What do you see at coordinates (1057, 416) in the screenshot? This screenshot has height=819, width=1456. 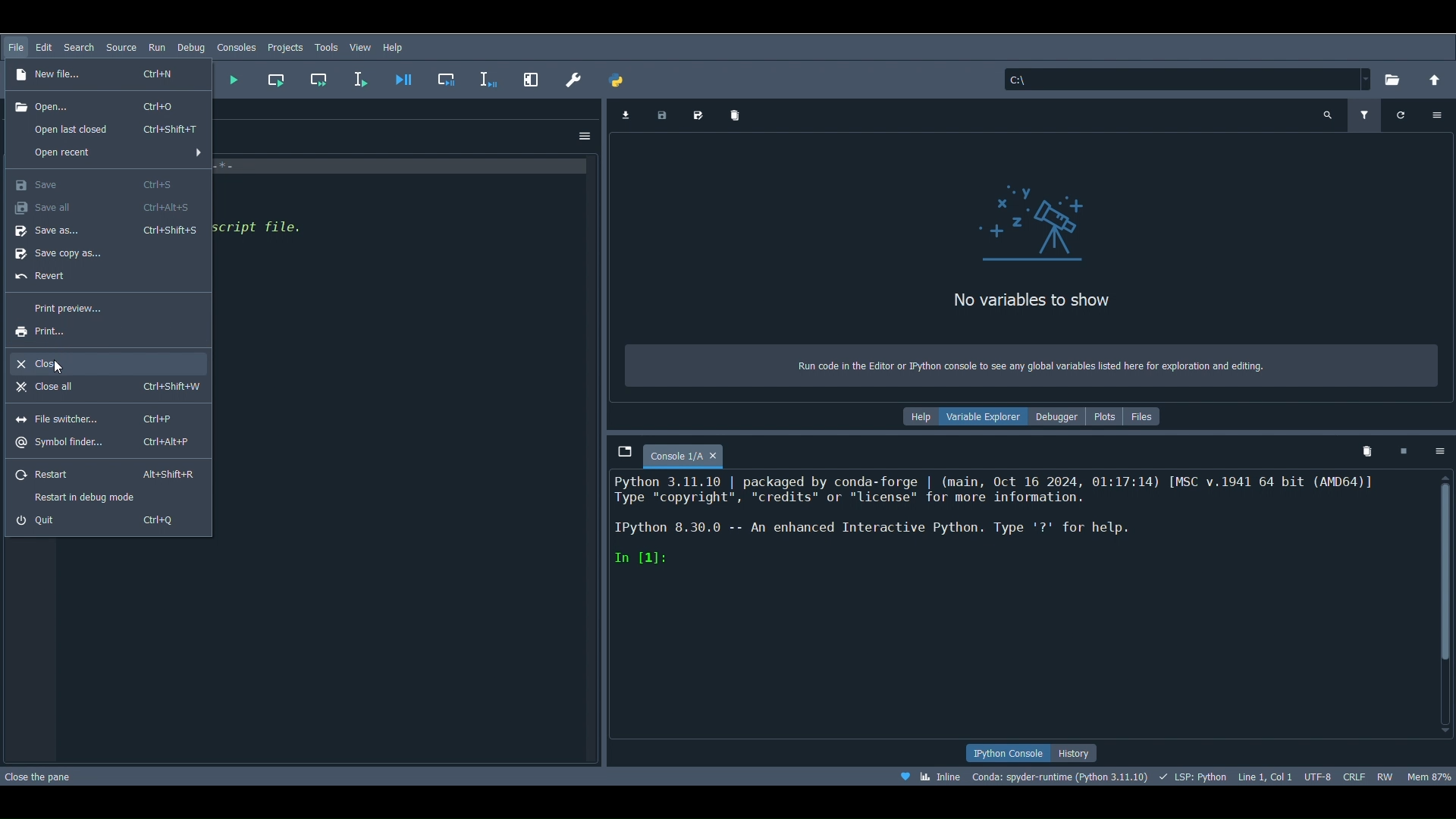 I see `Debugger` at bounding box center [1057, 416].